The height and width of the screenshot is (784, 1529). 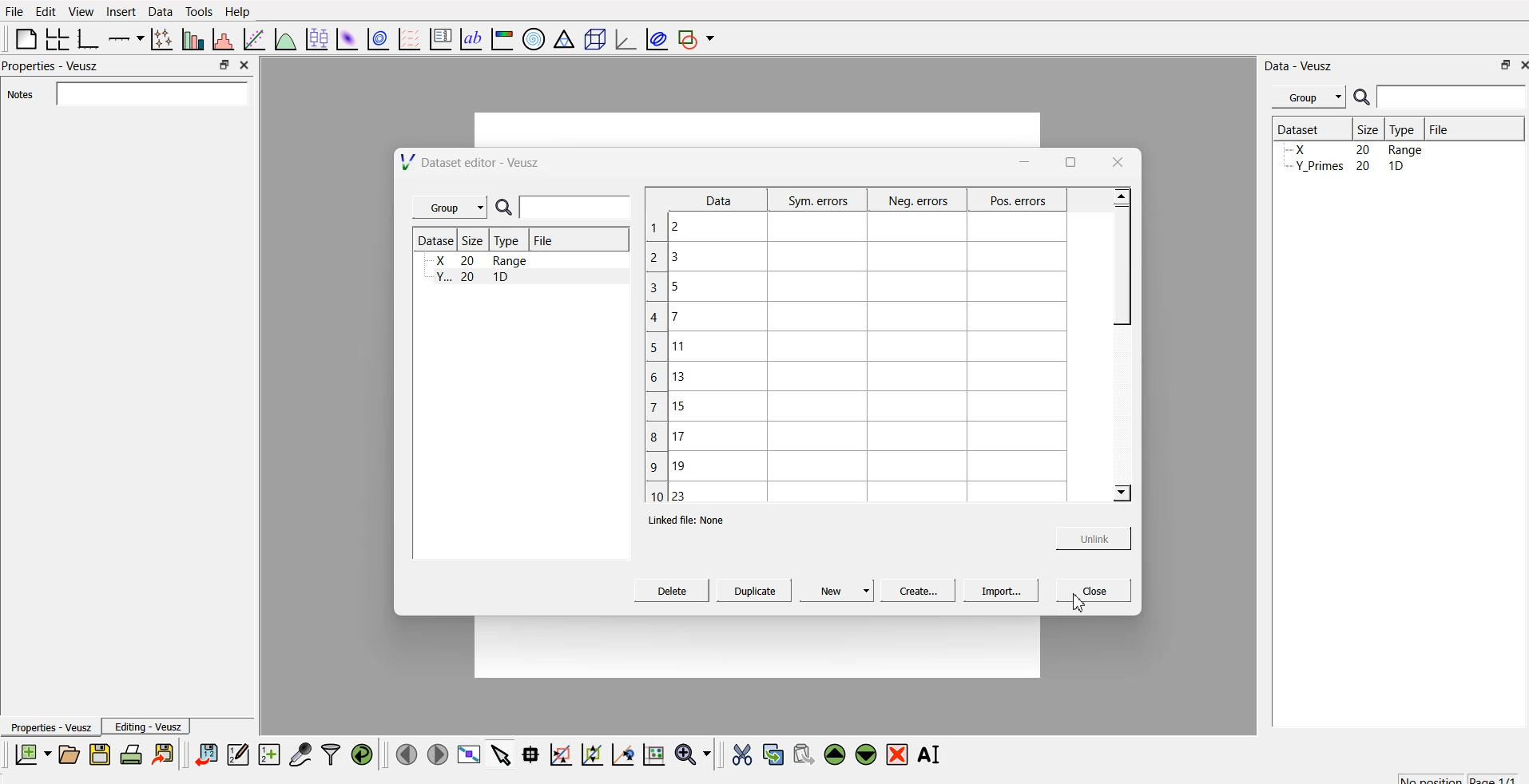 I want to click on y planes... 20   10, so click(x=1342, y=166).